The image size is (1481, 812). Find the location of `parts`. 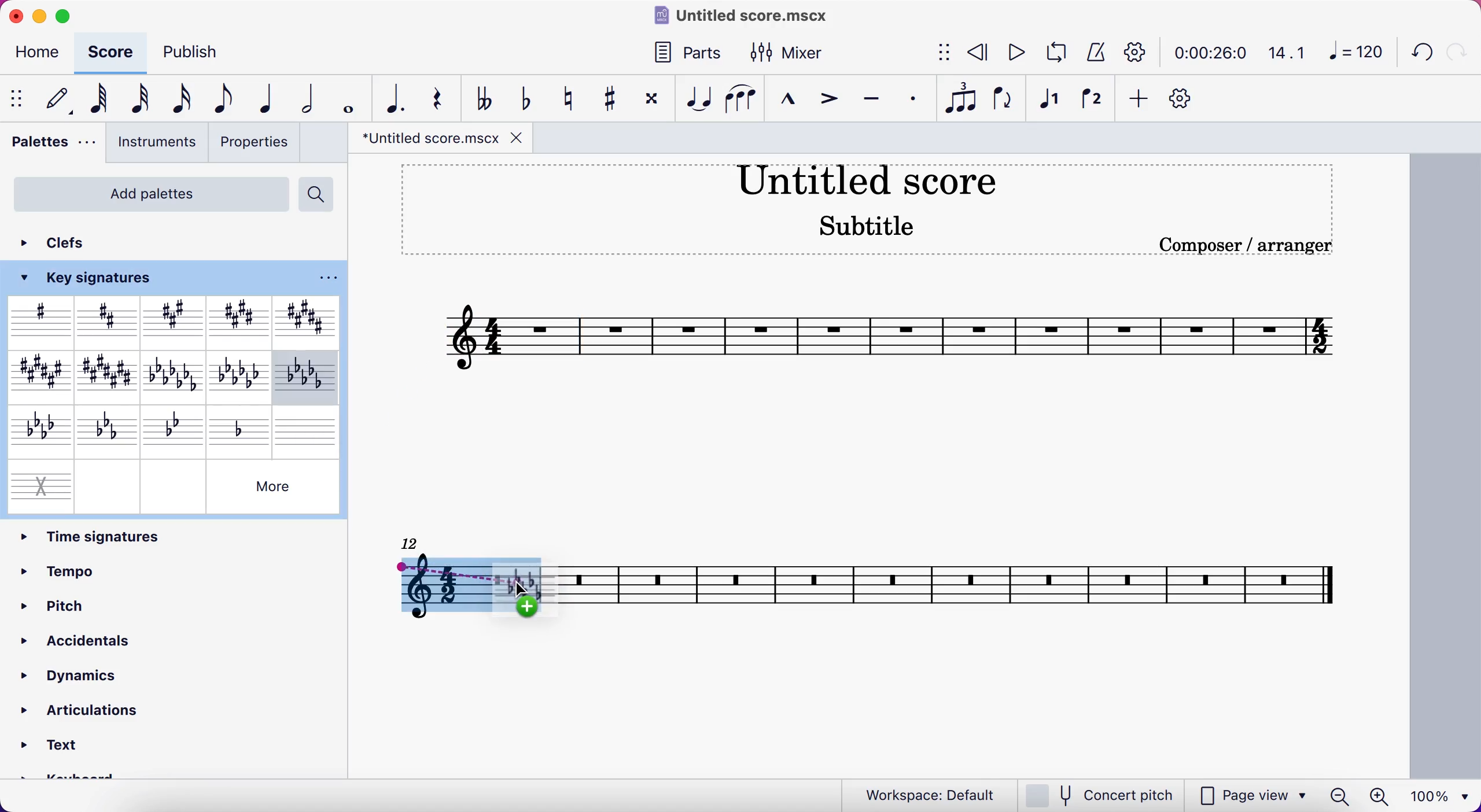

parts is located at coordinates (691, 54).